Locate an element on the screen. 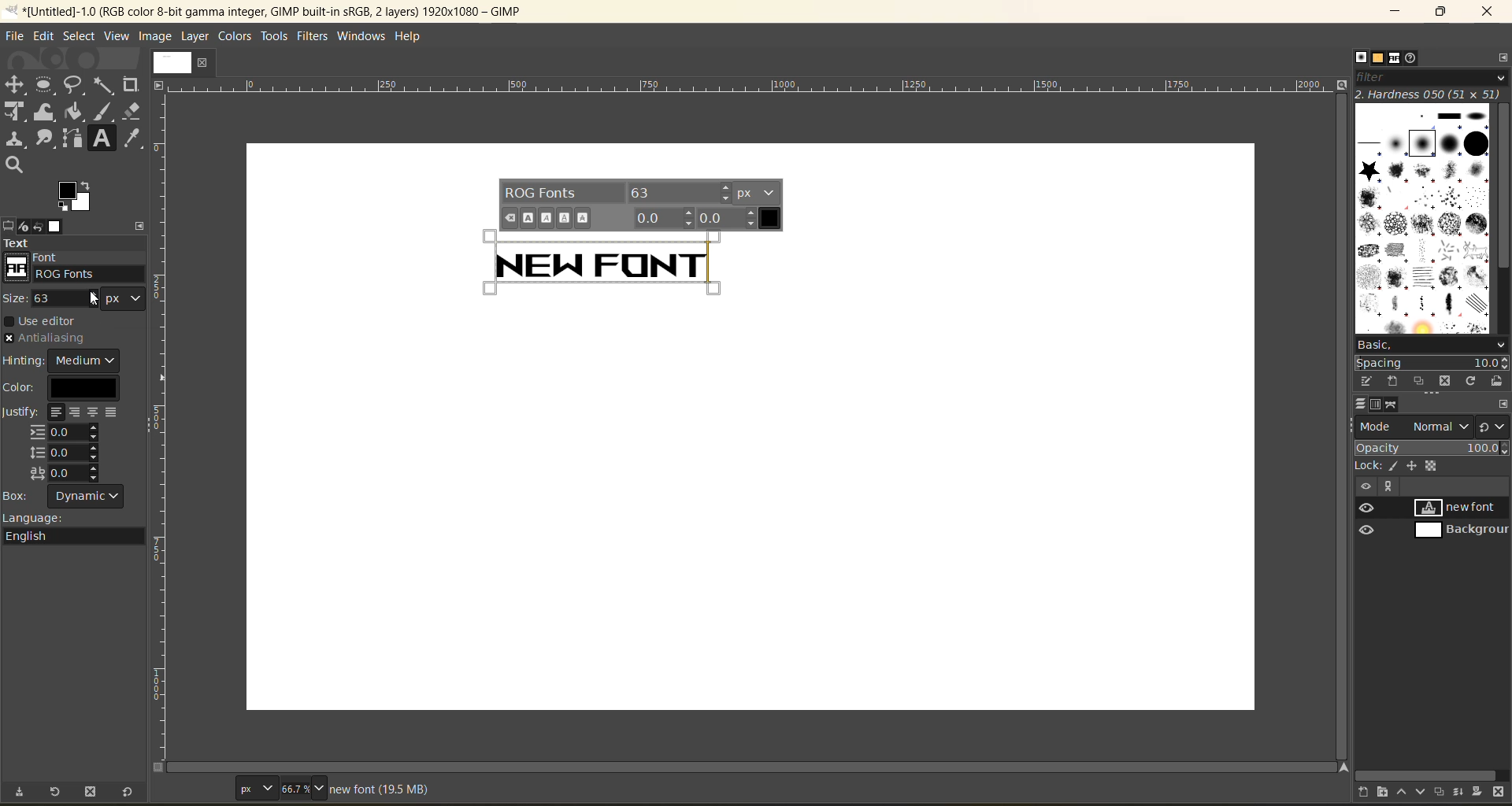 The image size is (1512, 806). switch is located at coordinates (1492, 426).